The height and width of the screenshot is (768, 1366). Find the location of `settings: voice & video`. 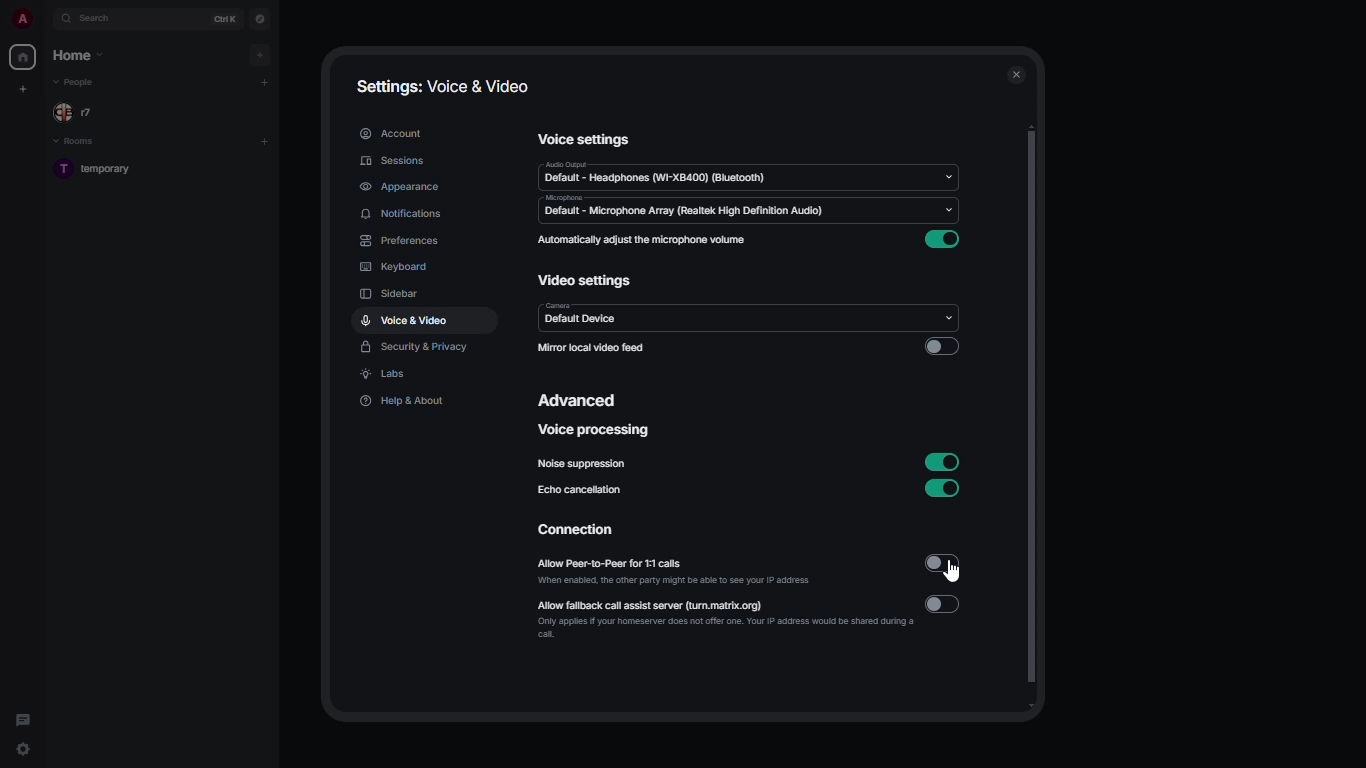

settings: voice & video is located at coordinates (445, 87).